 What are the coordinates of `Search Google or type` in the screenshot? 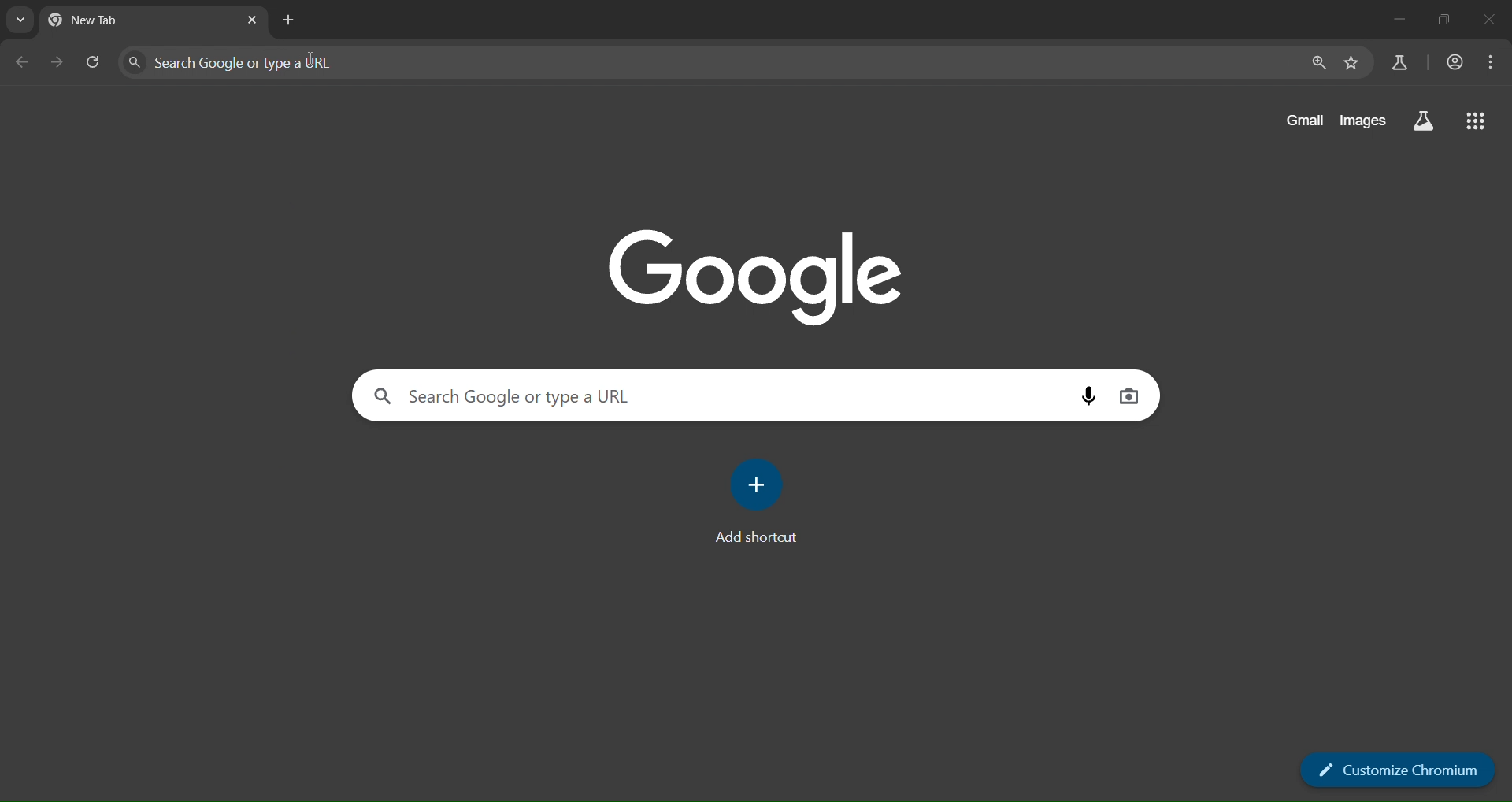 It's located at (209, 62).